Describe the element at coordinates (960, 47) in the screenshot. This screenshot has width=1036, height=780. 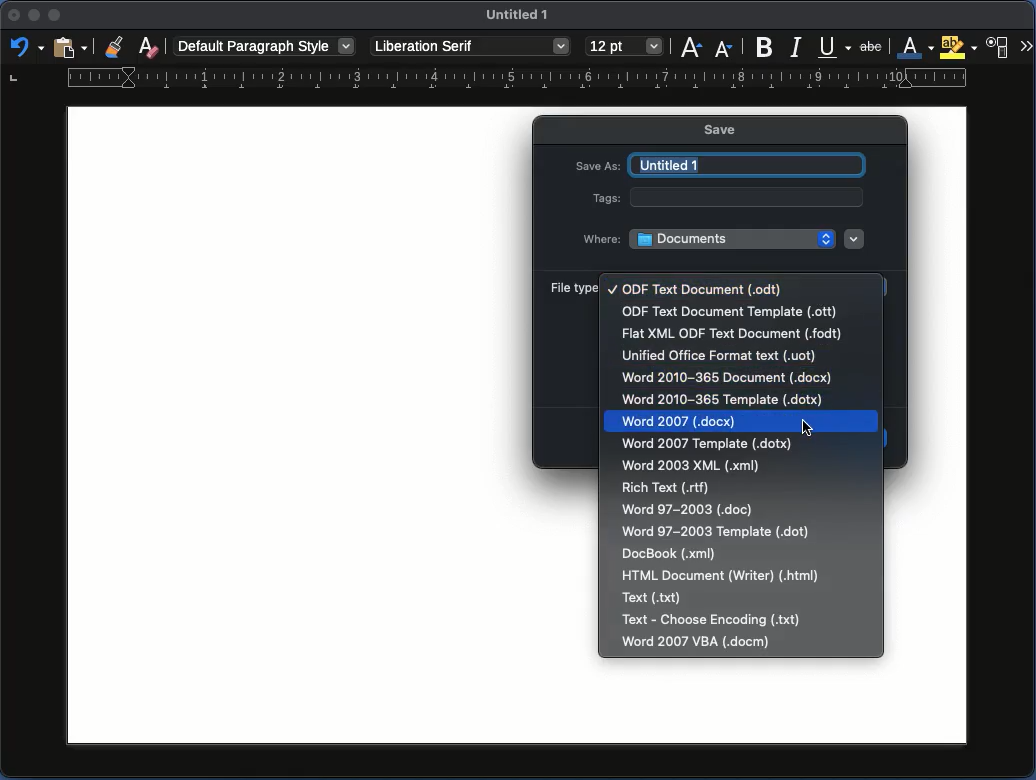
I see `Highlighting` at that location.